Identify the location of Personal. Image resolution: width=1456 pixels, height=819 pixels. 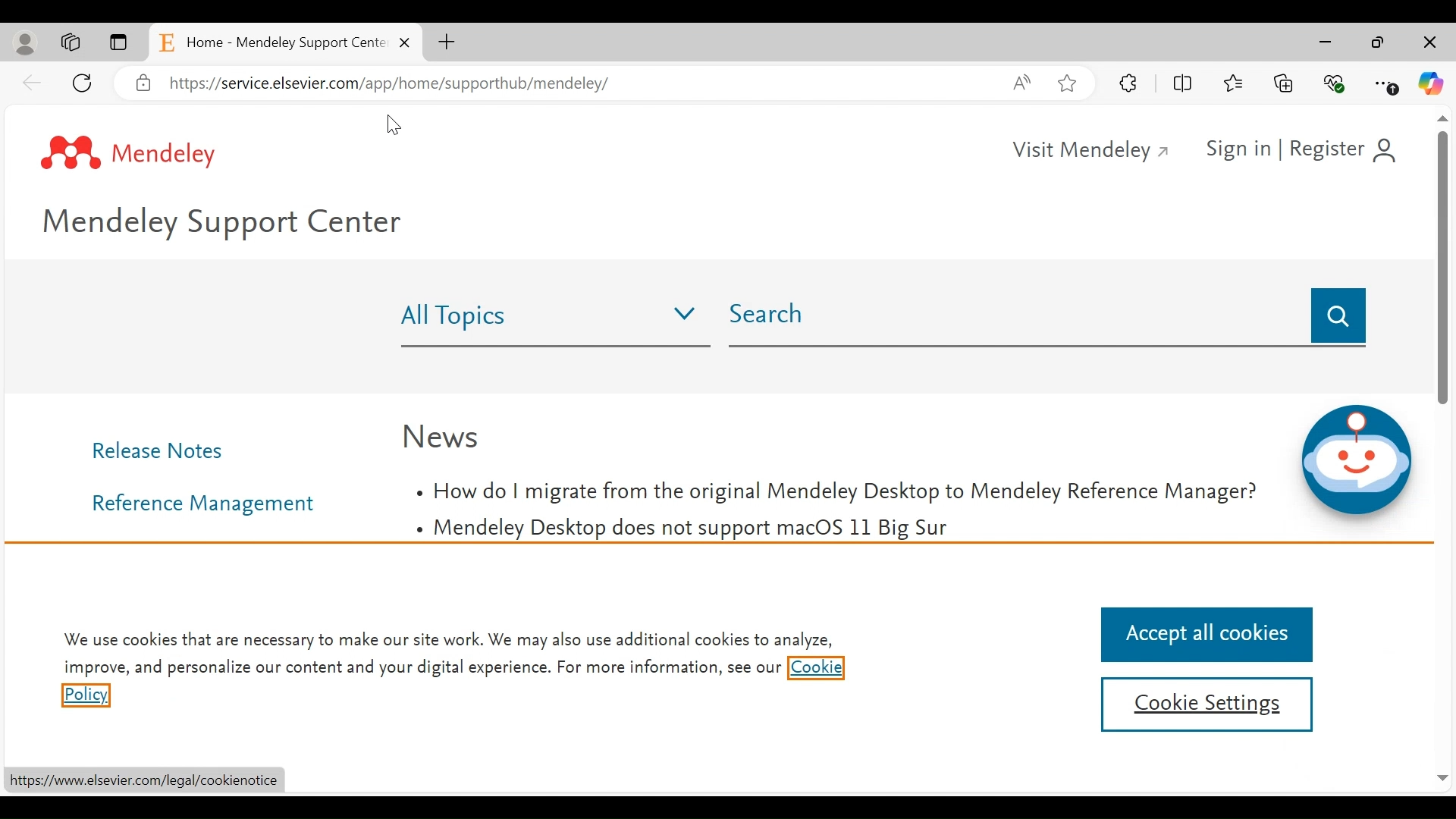
(25, 45).